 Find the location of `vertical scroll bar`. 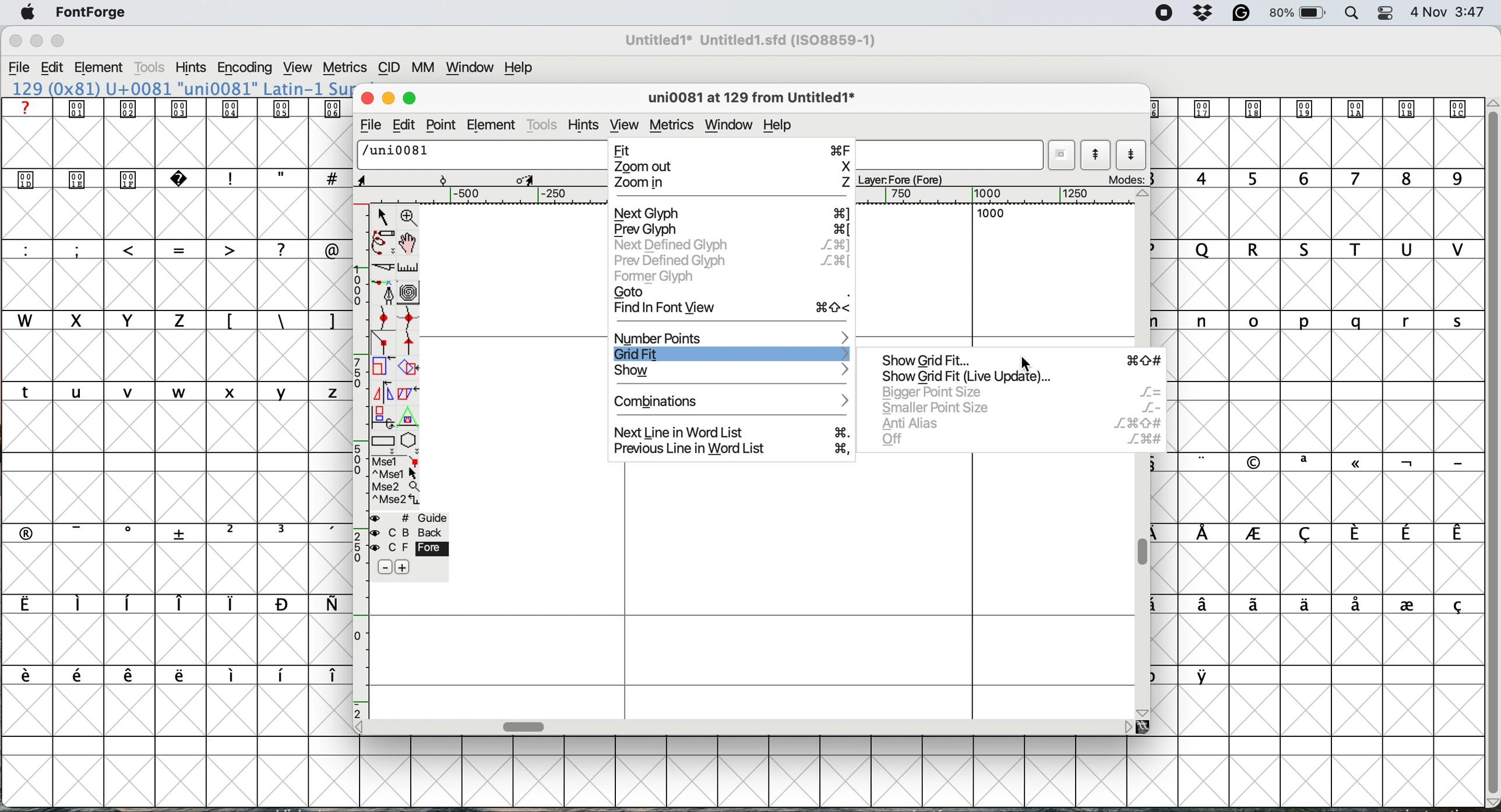

vertical scroll bar is located at coordinates (1146, 550).